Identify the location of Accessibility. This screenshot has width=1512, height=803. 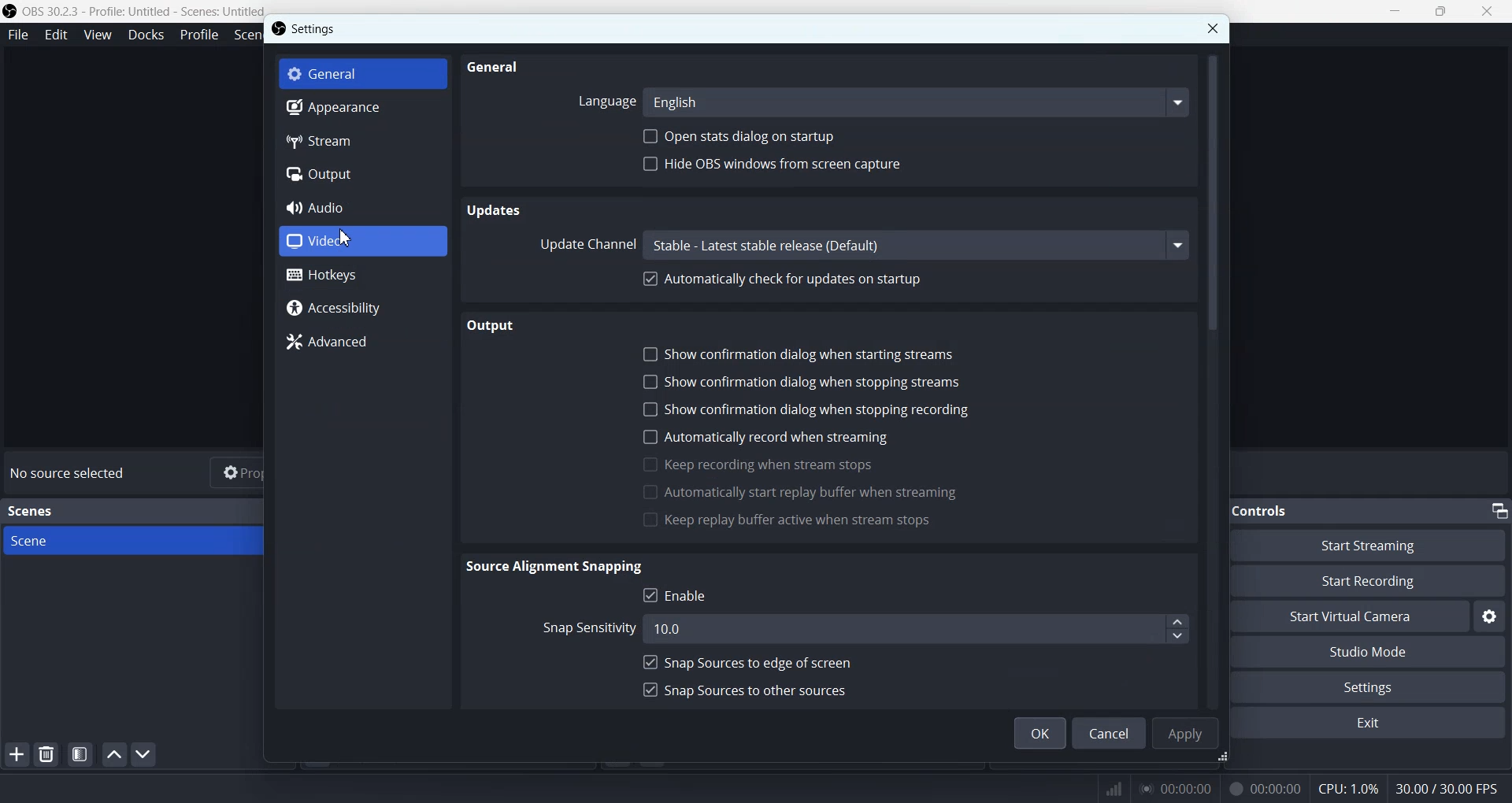
(362, 309).